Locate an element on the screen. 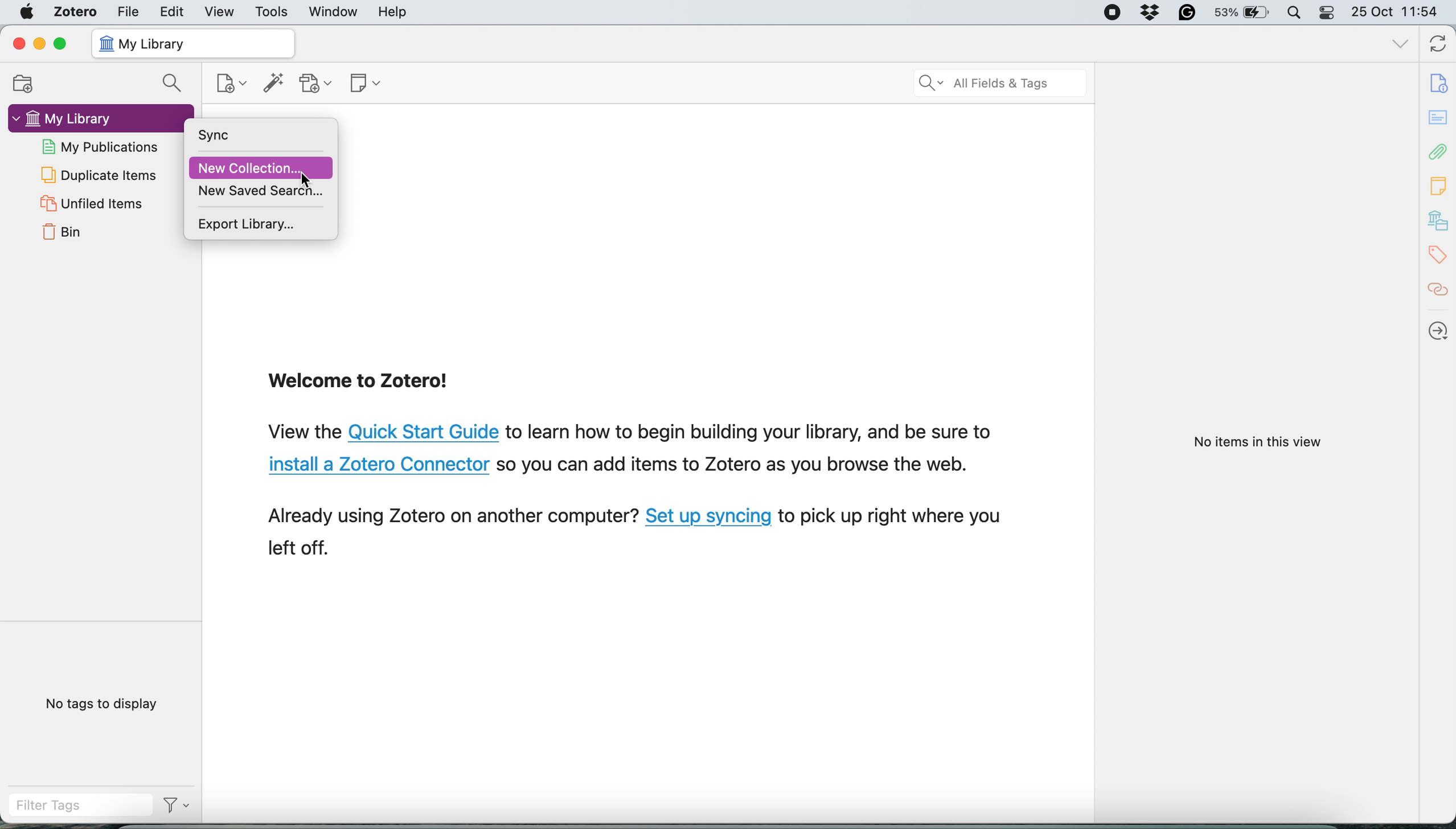 This screenshot has width=1456, height=829. No items in this view is located at coordinates (1255, 442).